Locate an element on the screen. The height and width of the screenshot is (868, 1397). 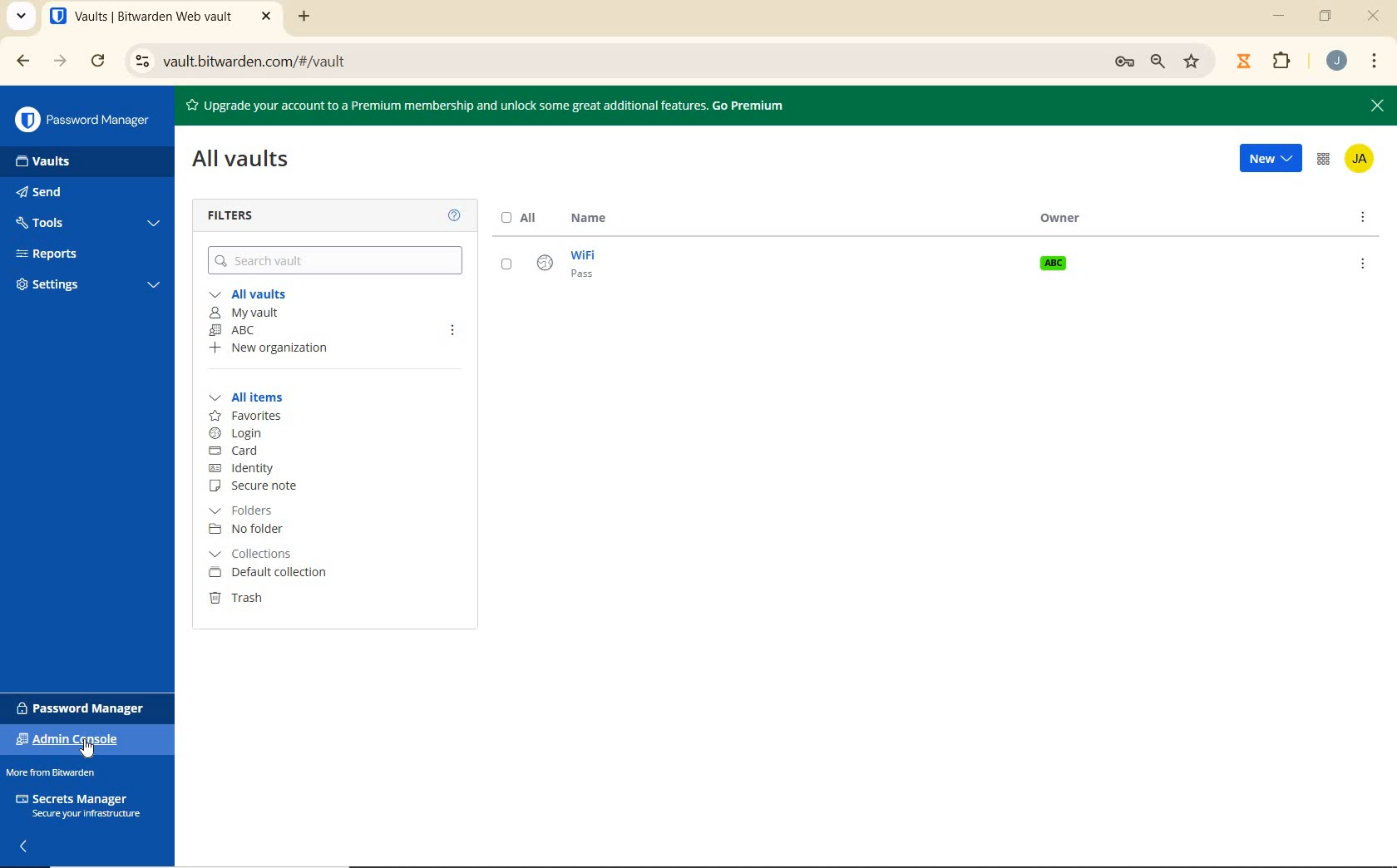
SECRETS MANAGER is located at coordinates (77, 806).